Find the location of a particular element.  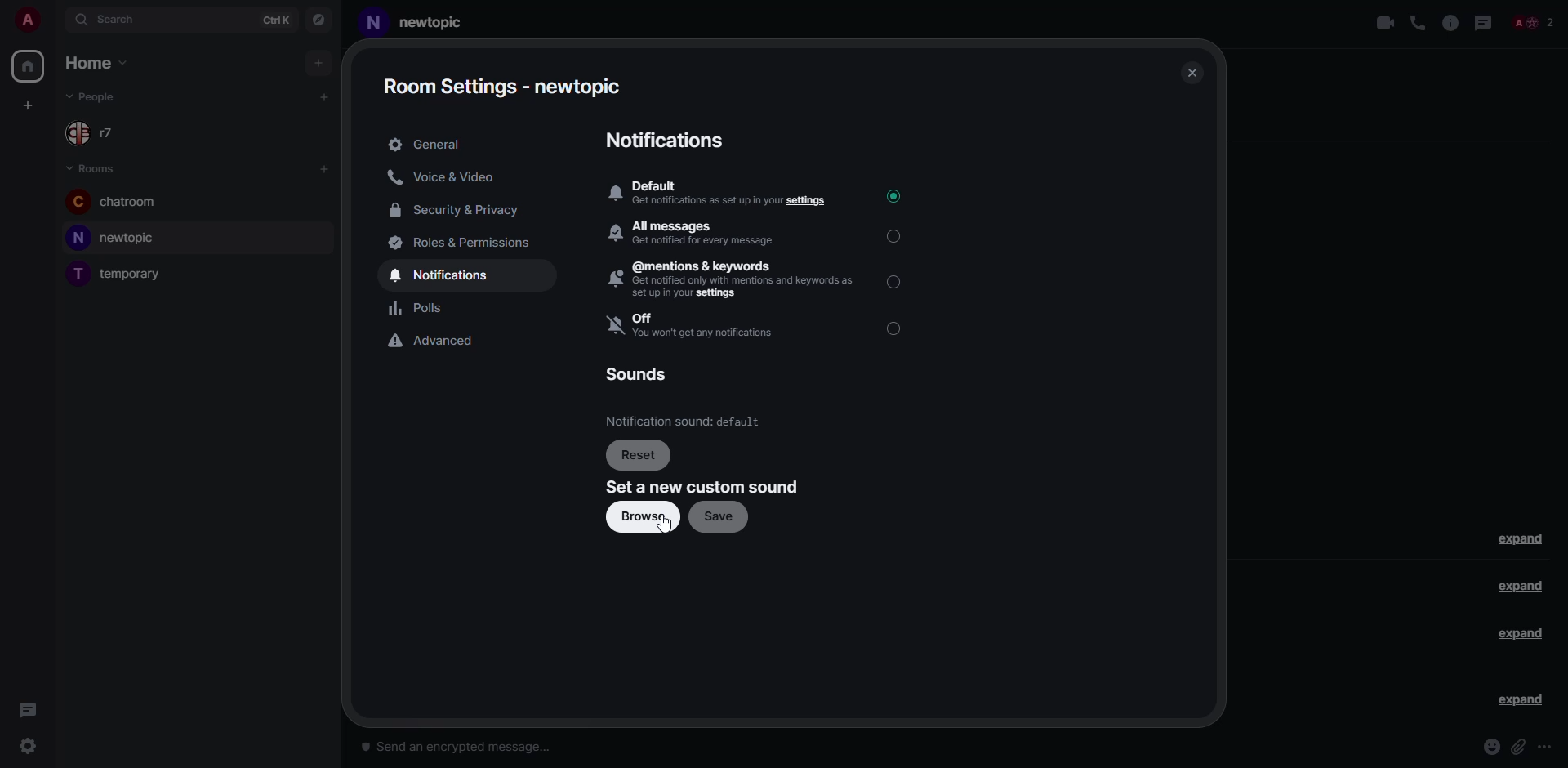

general is located at coordinates (429, 145).